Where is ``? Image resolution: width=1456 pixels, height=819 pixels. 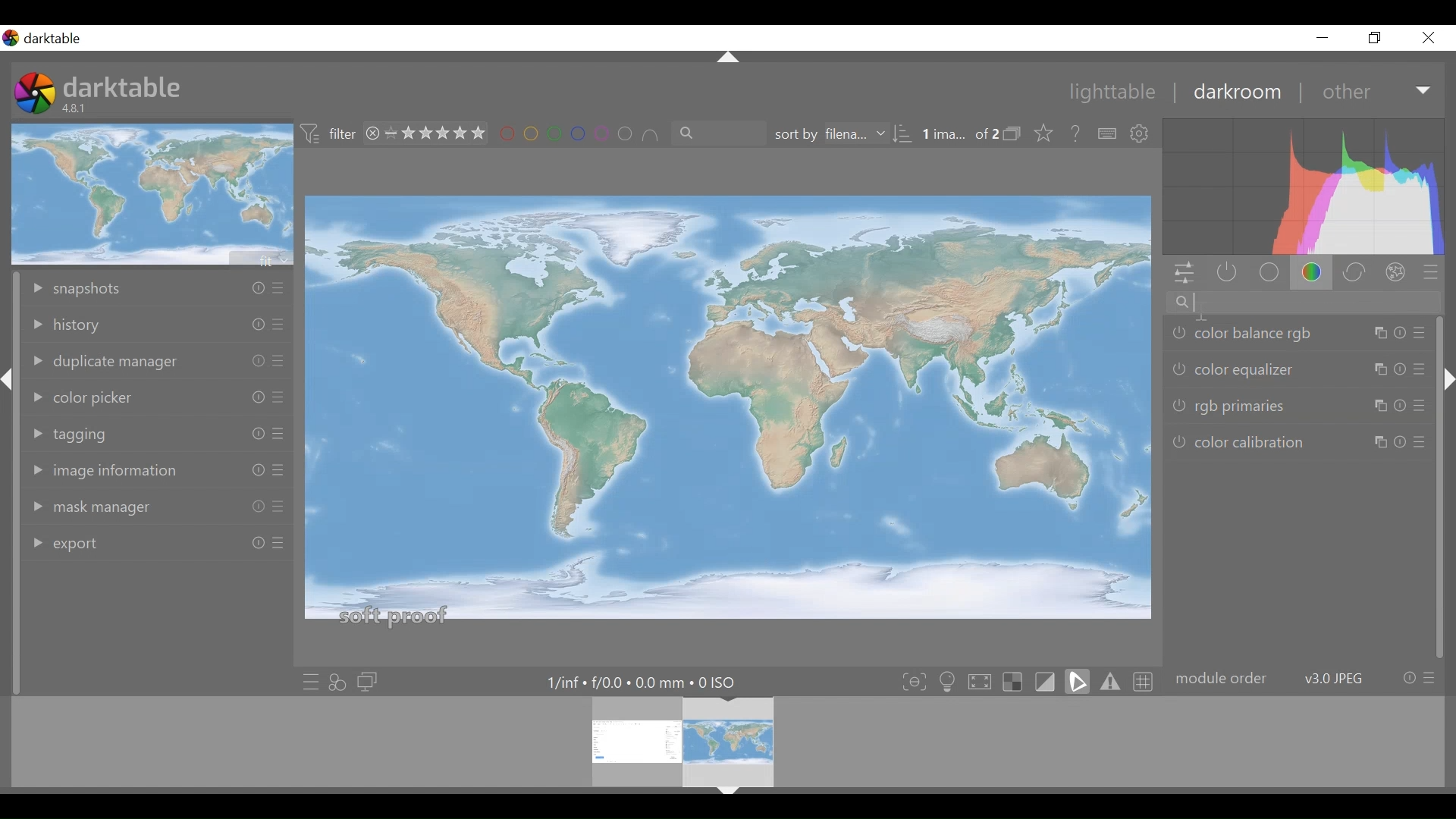
 is located at coordinates (253, 544).